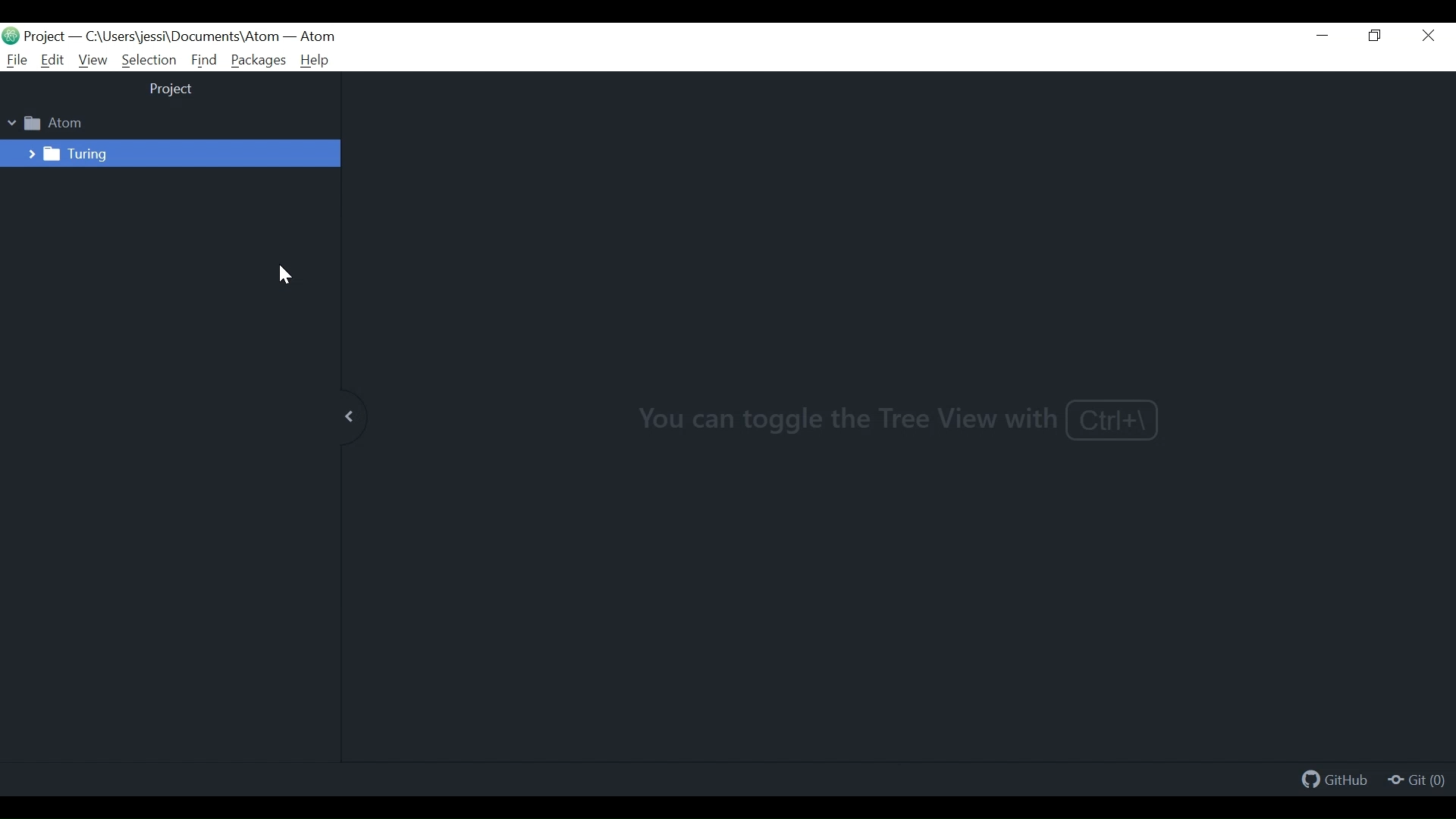 The width and height of the screenshot is (1456, 819). I want to click on Projects, so click(46, 36).